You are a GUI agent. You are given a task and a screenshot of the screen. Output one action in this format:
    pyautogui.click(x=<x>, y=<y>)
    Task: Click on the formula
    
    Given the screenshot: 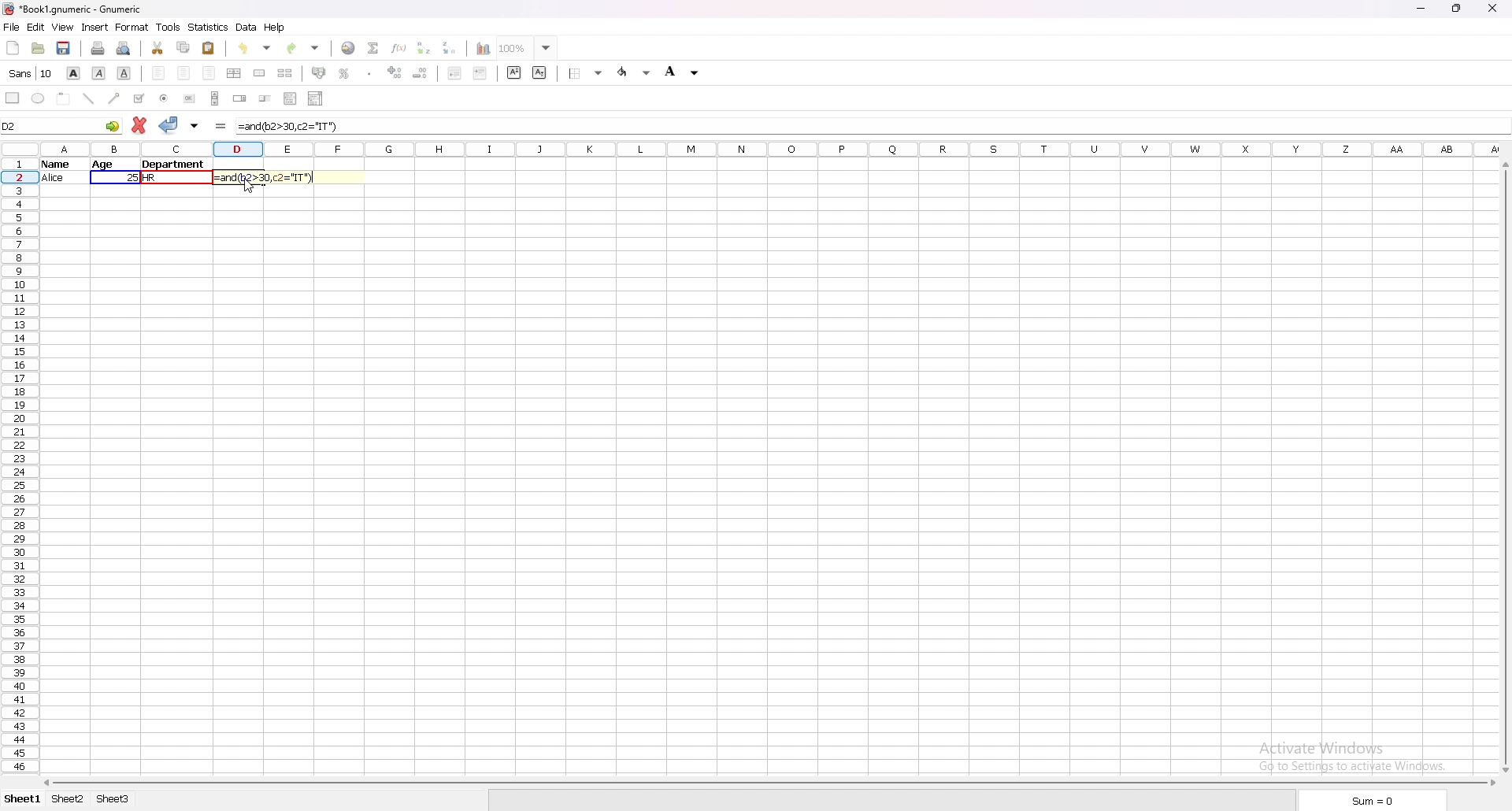 What is the action you would take?
    pyautogui.click(x=270, y=177)
    